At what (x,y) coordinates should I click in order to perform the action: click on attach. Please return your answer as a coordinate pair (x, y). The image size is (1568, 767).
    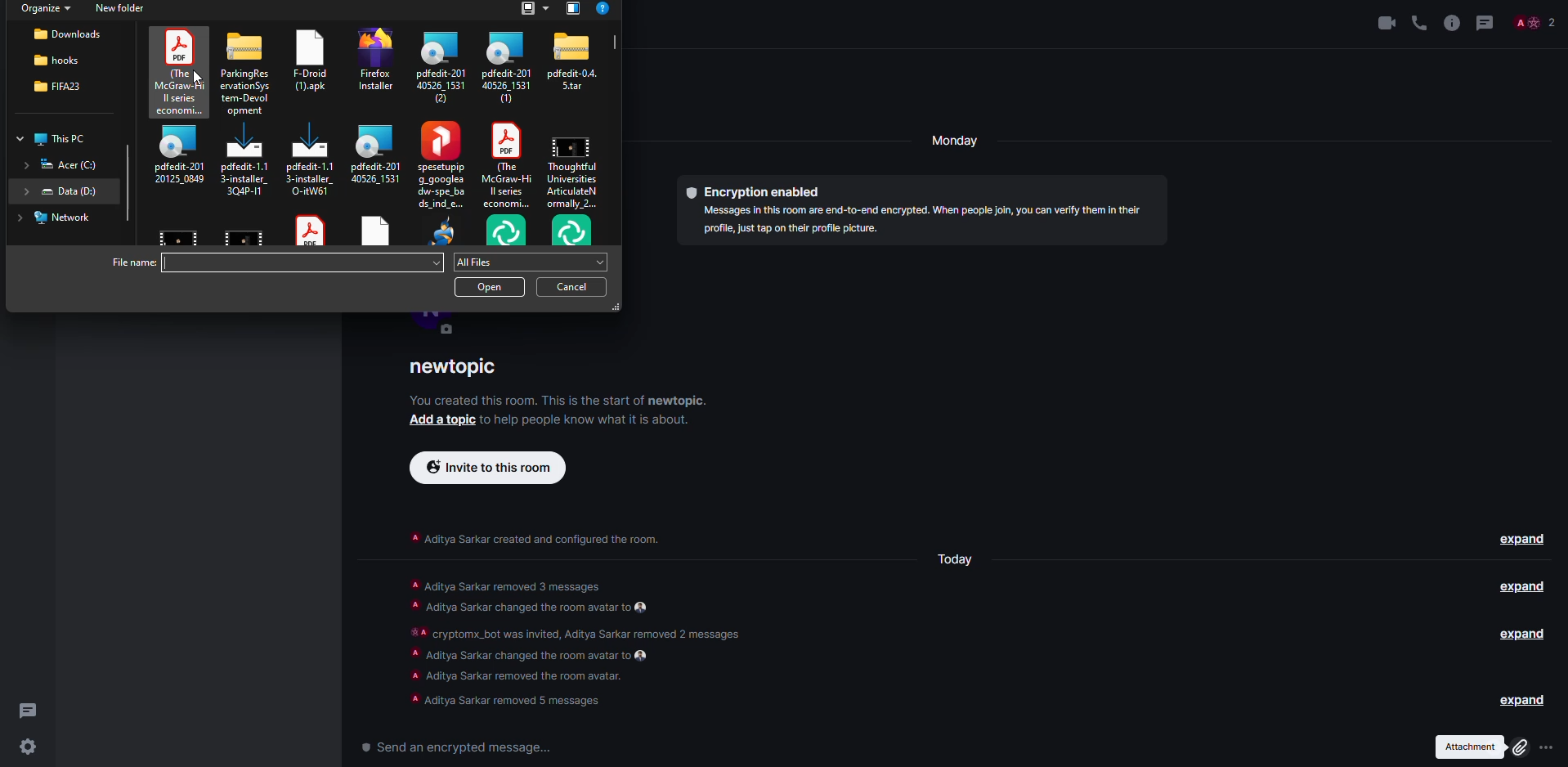
    Looking at the image, I should click on (1552, 747).